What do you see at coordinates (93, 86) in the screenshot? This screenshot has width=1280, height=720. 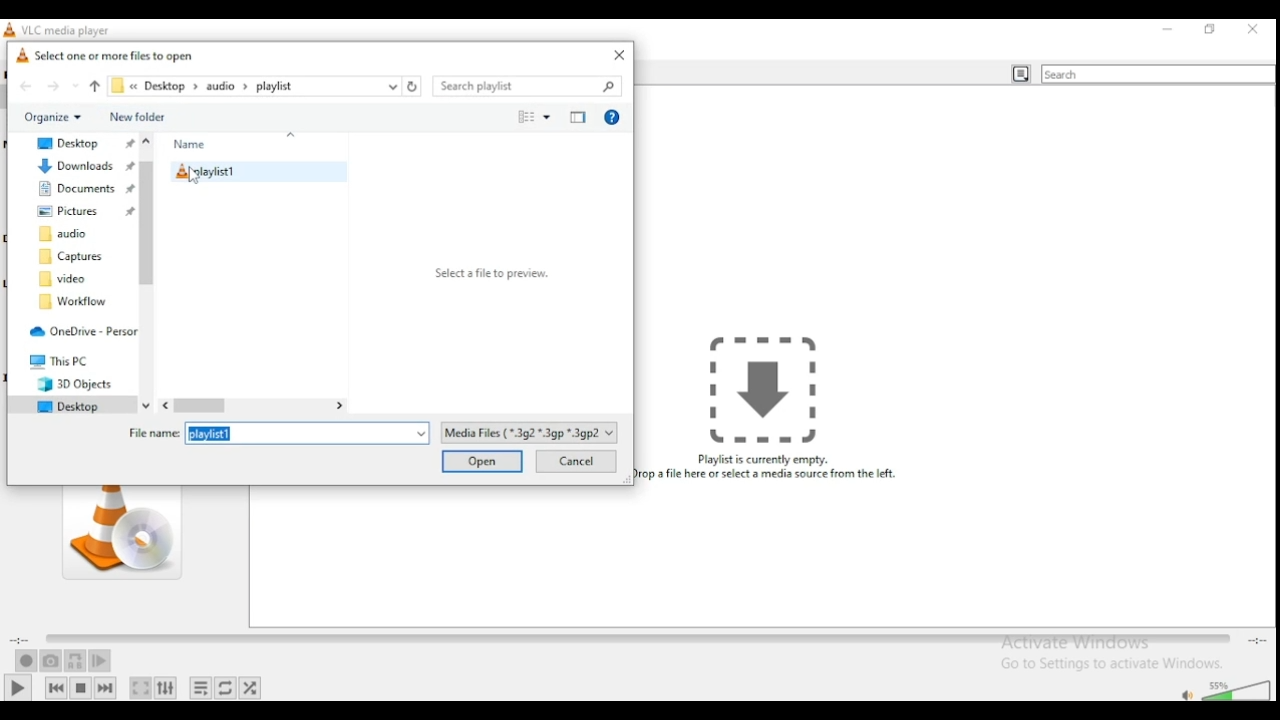 I see `up` at bounding box center [93, 86].